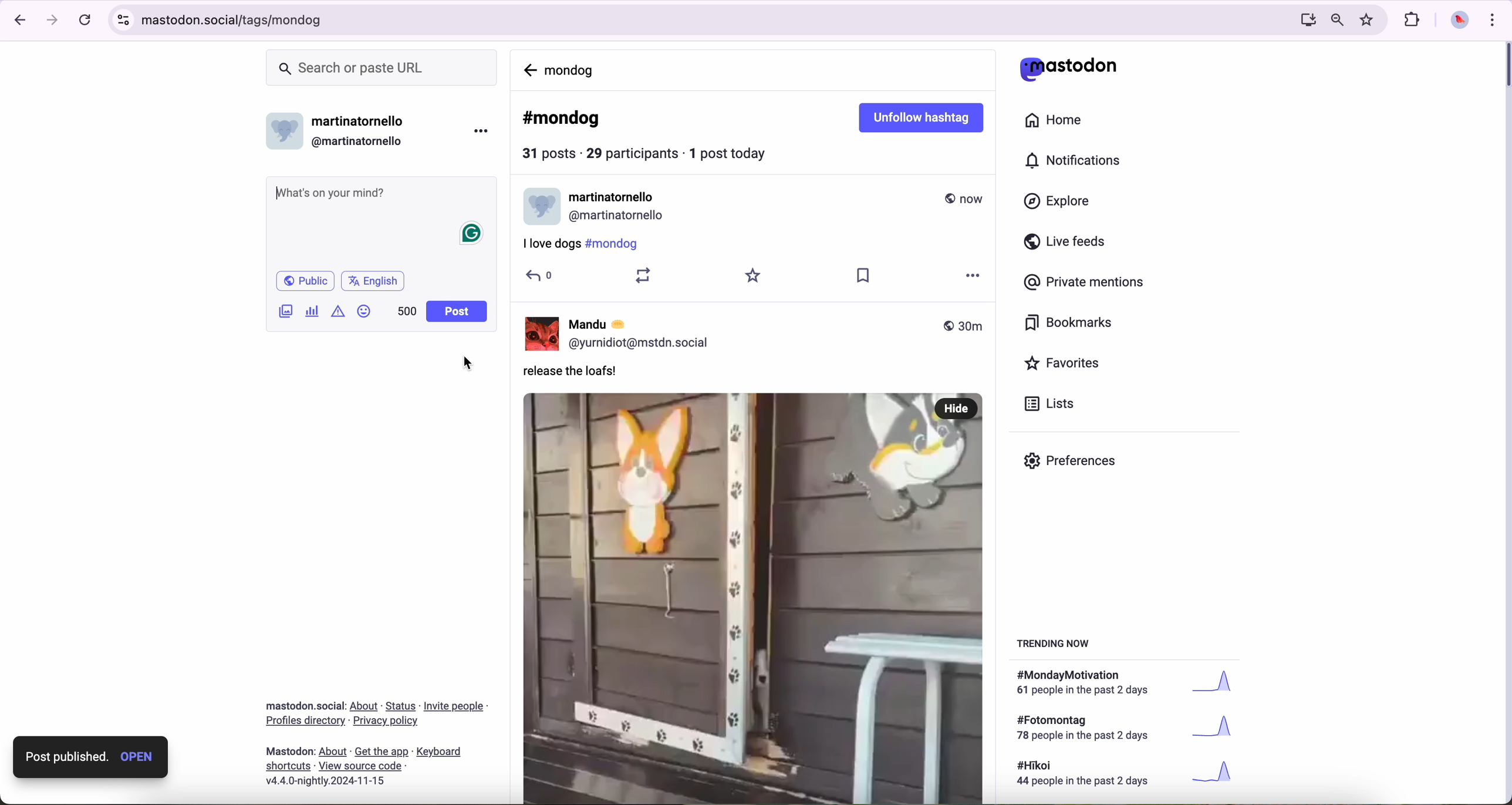  I want to click on hide, so click(957, 279).